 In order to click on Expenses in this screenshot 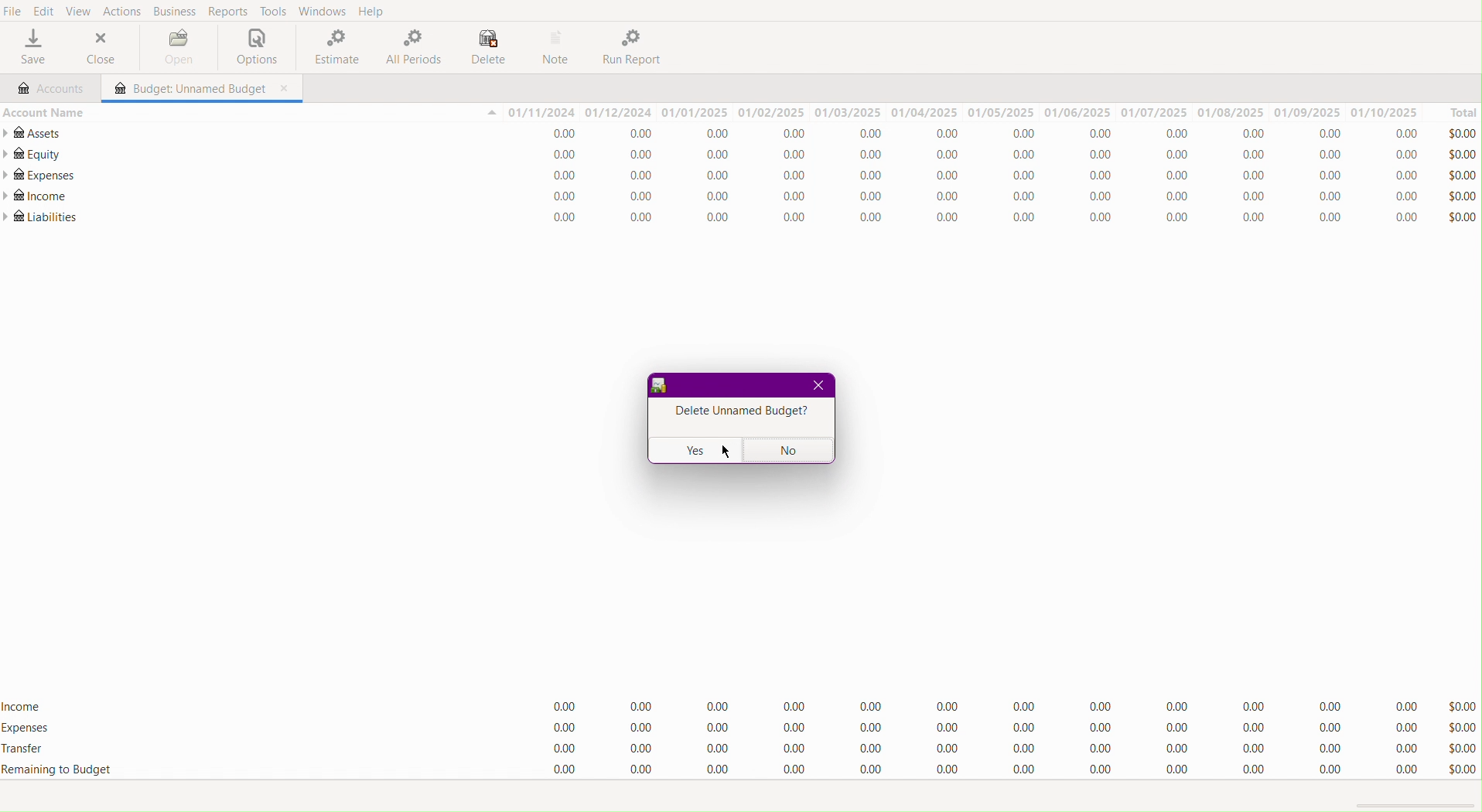, I will do `click(39, 176)`.